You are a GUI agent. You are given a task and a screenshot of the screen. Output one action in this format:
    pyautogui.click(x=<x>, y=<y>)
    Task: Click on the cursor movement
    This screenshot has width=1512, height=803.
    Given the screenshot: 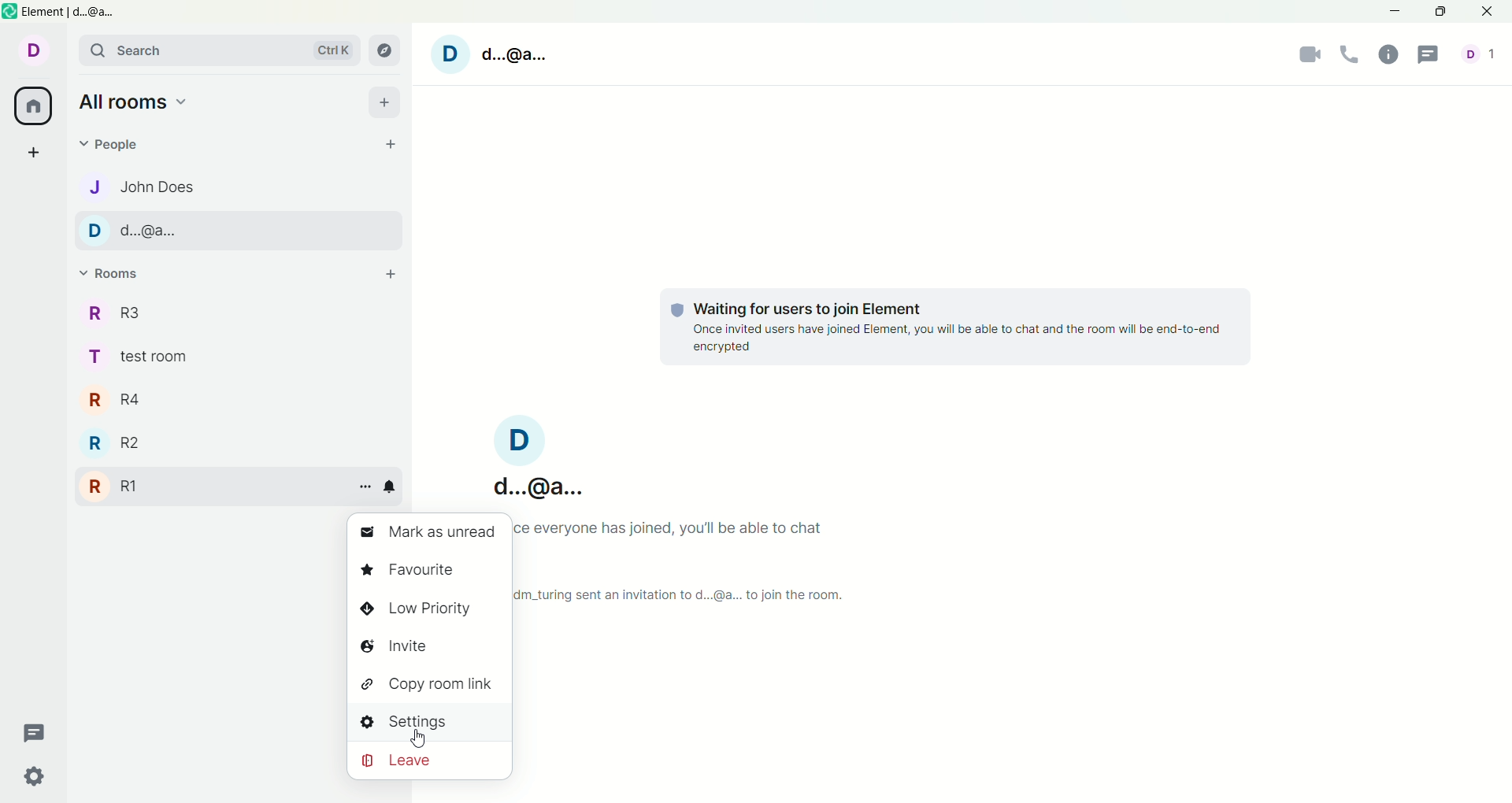 What is the action you would take?
    pyautogui.click(x=418, y=737)
    